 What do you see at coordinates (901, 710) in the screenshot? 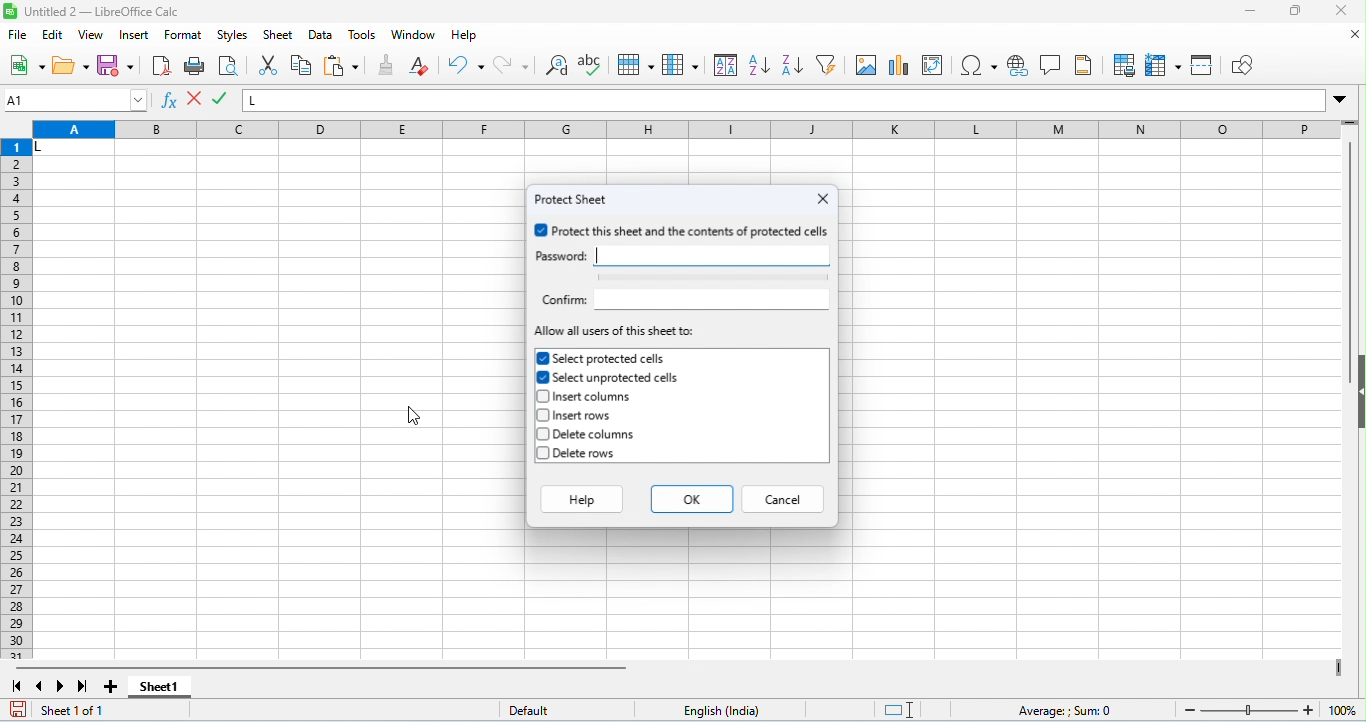
I see `standard selection` at bounding box center [901, 710].